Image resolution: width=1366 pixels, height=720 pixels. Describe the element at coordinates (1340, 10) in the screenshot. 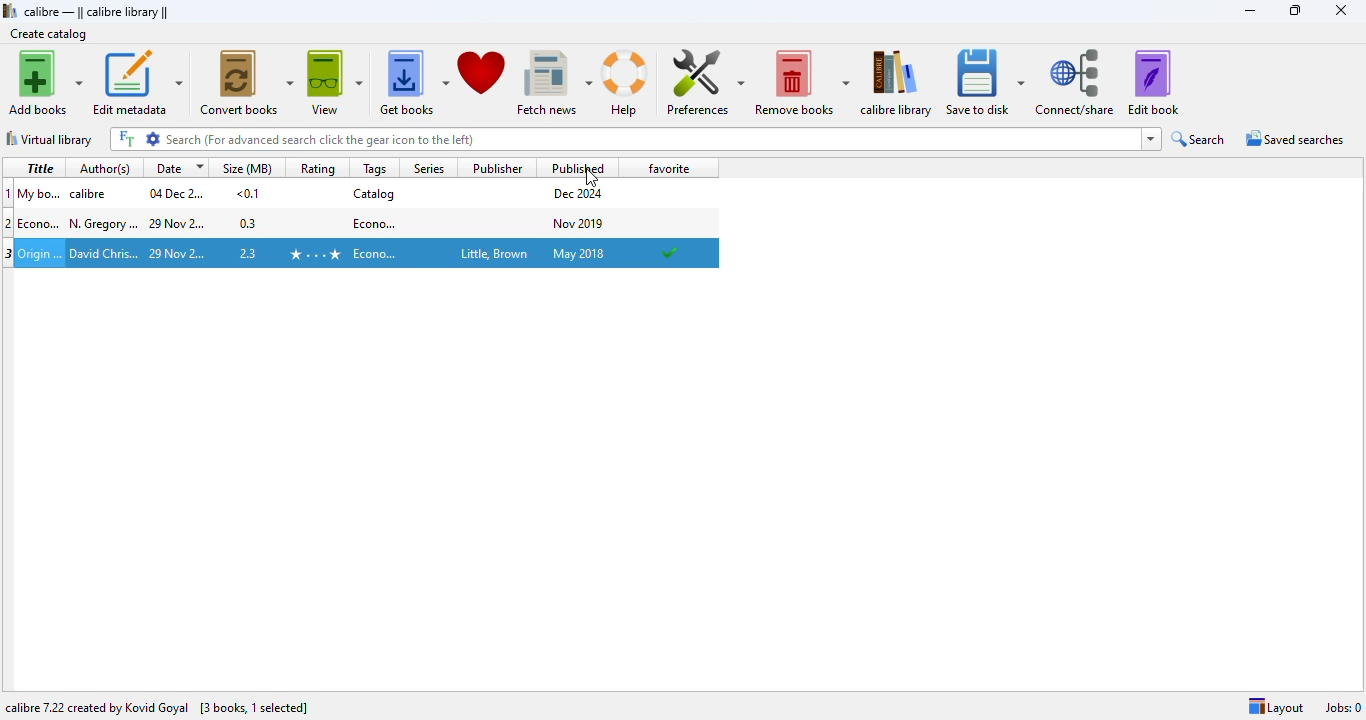

I see `close` at that location.